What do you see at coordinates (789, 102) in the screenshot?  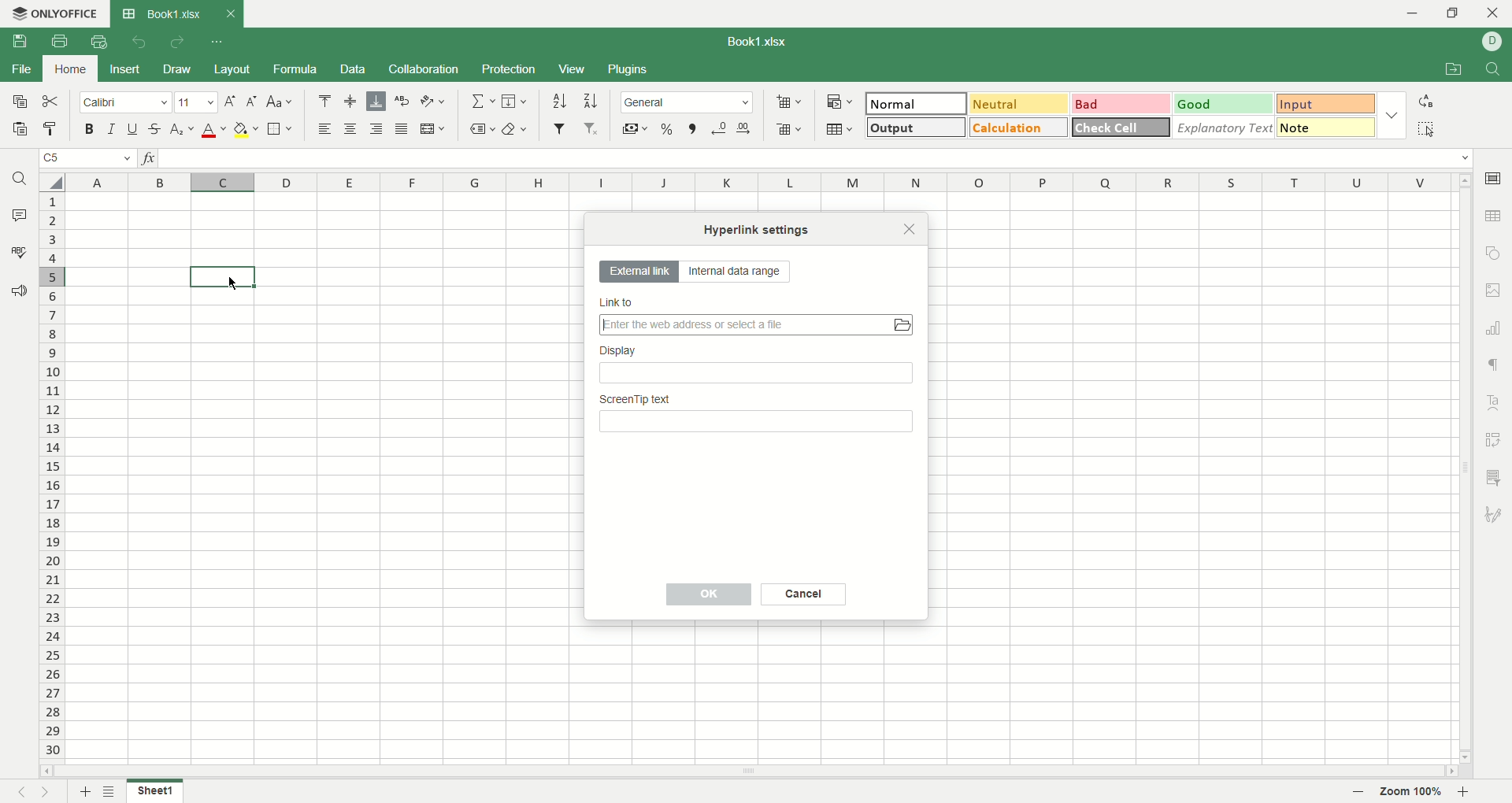 I see `add cell` at bounding box center [789, 102].